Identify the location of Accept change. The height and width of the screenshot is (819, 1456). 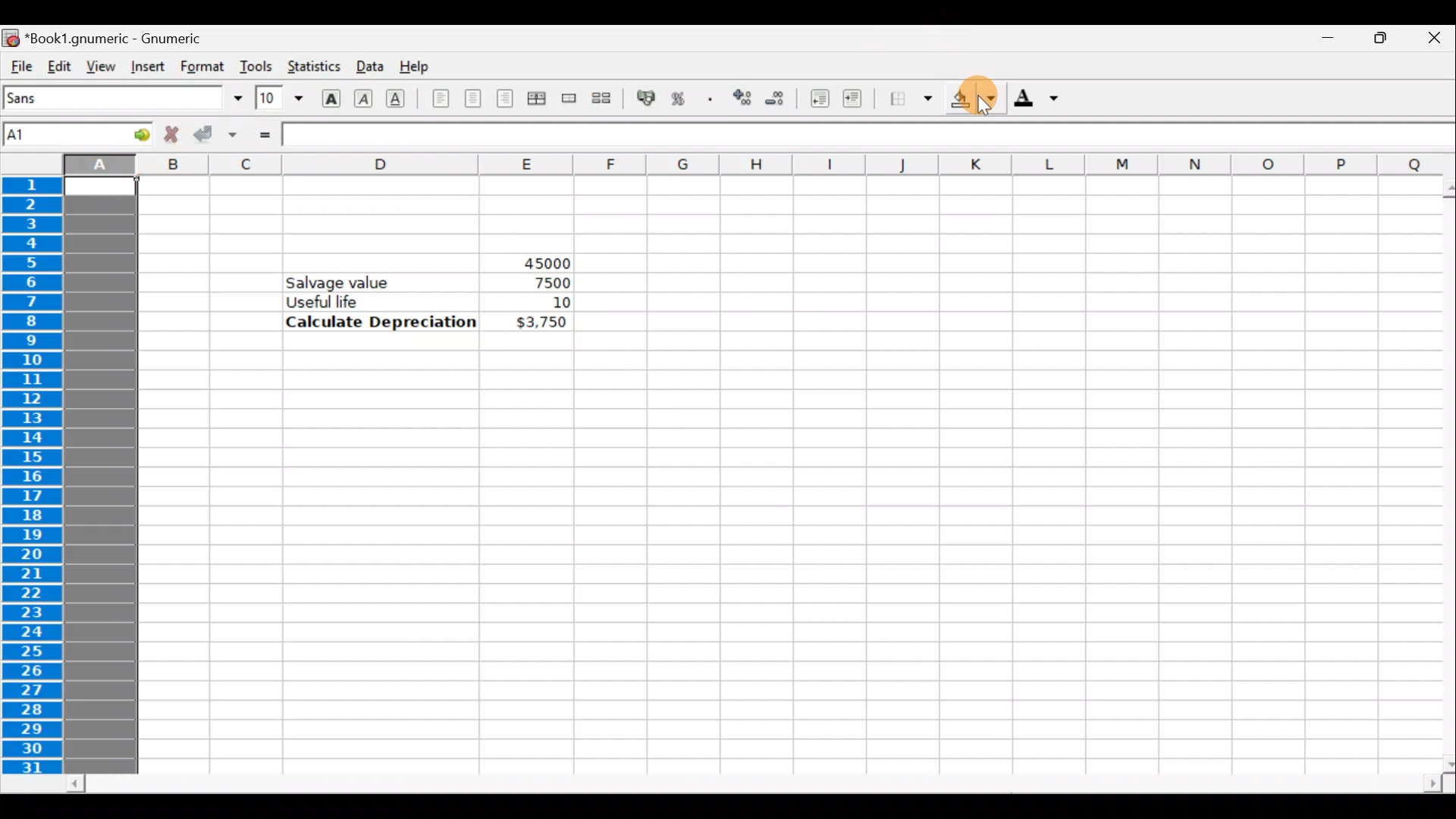
(215, 135).